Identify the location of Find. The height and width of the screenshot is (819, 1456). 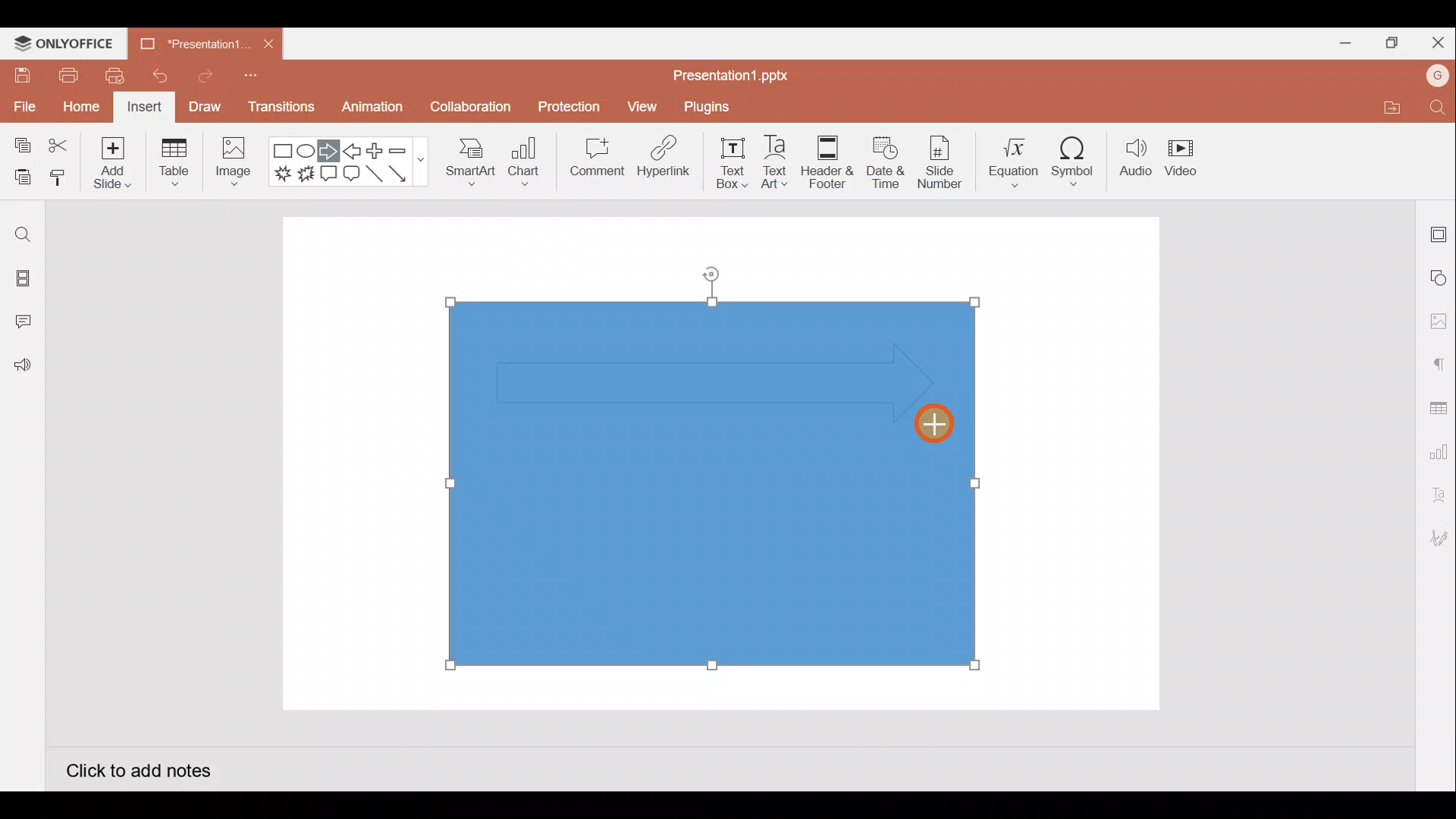
(23, 234).